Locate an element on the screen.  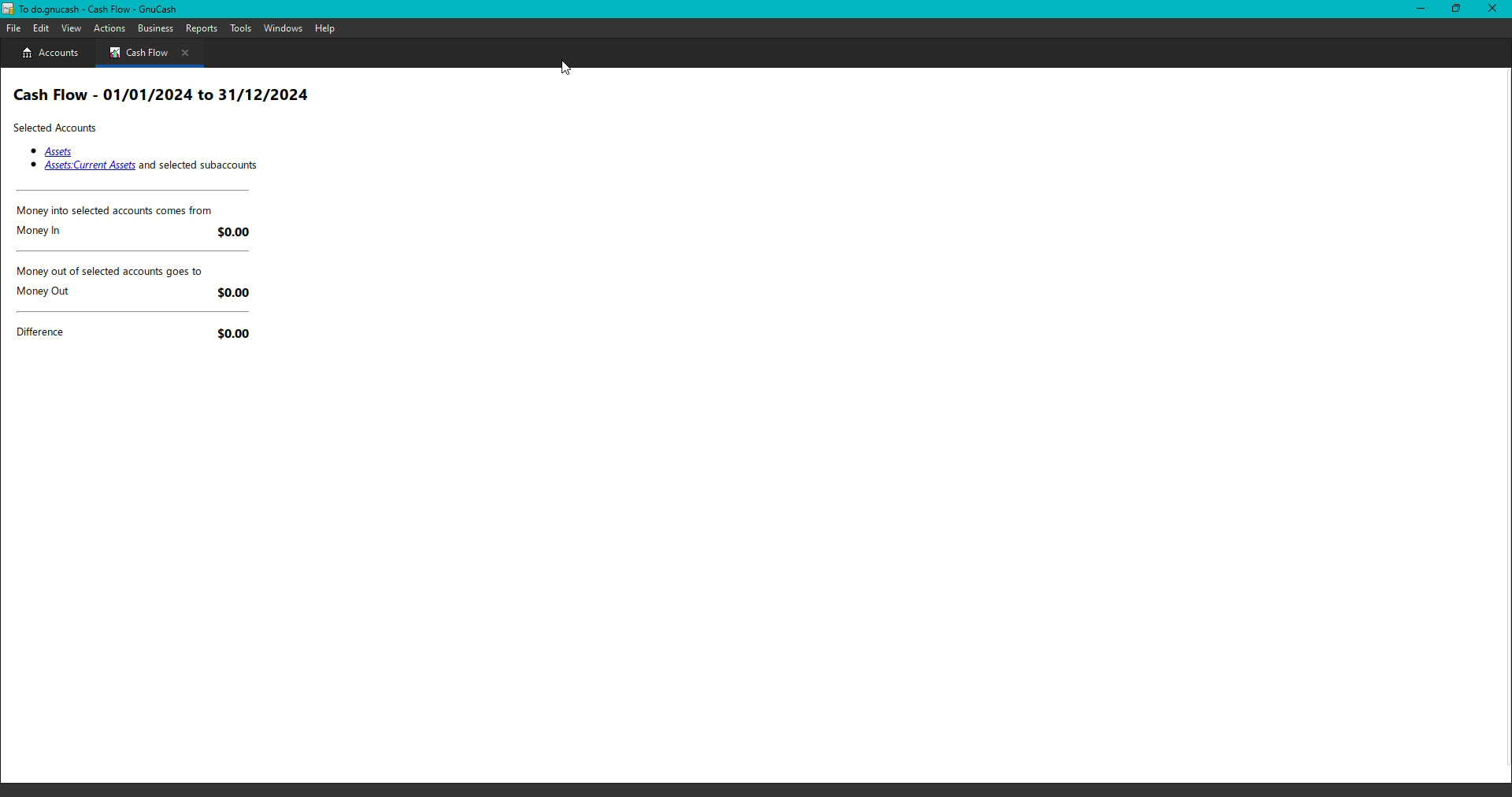
Reports is located at coordinates (203, 28).